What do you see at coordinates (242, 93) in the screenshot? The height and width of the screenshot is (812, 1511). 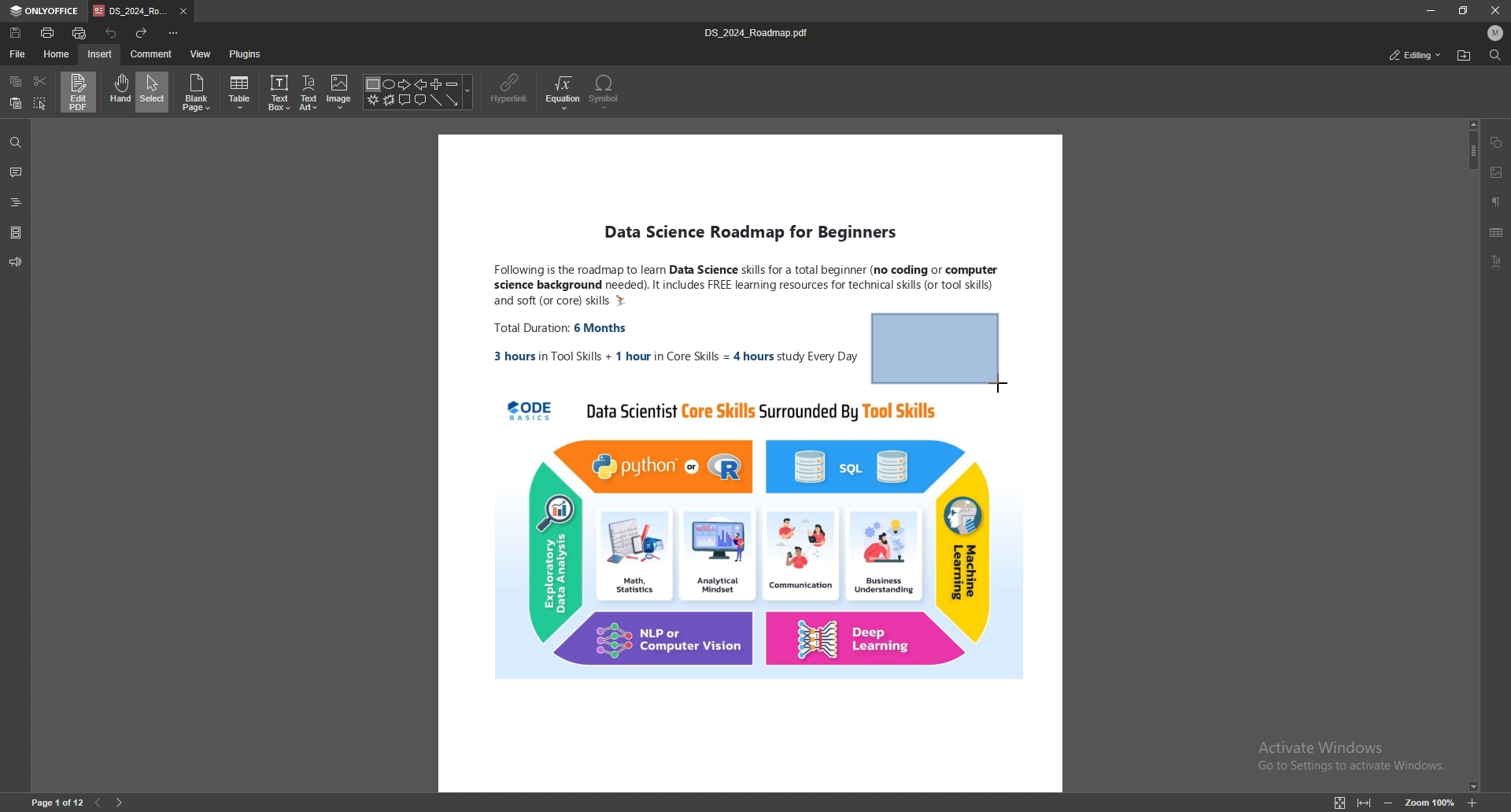 I see `table` at bounding box center [242, 93].